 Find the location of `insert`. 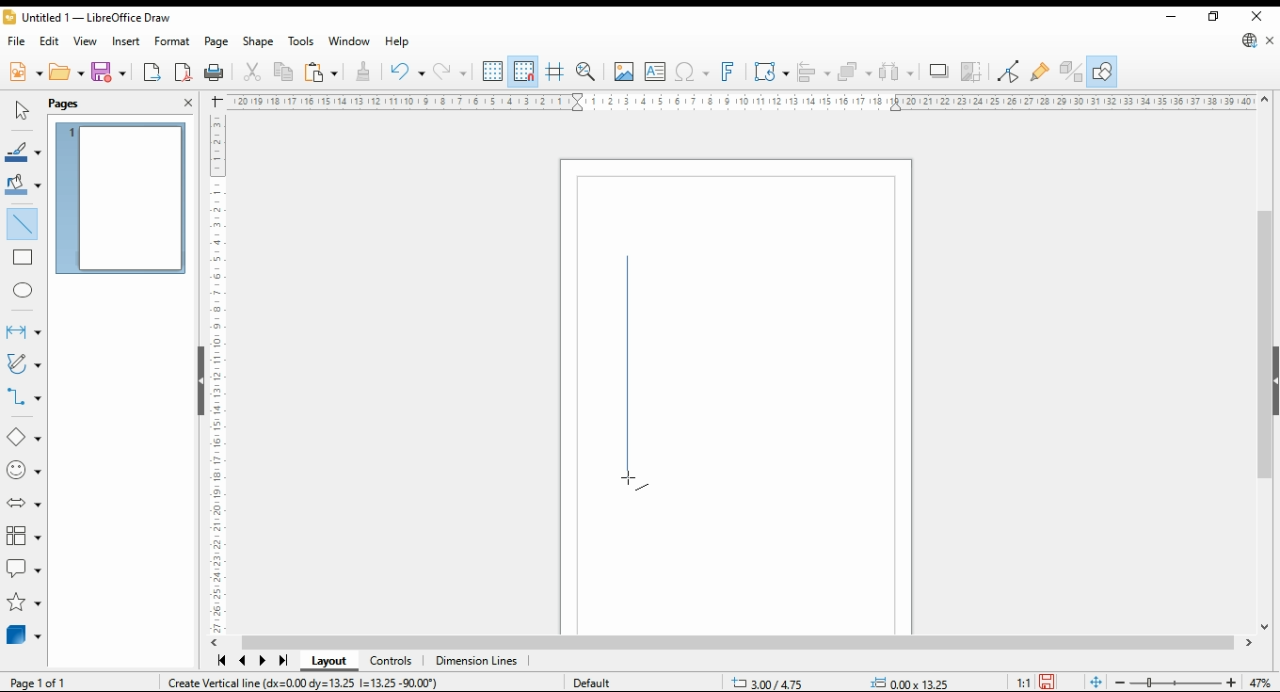

insert is located at coordinates (127, 41).